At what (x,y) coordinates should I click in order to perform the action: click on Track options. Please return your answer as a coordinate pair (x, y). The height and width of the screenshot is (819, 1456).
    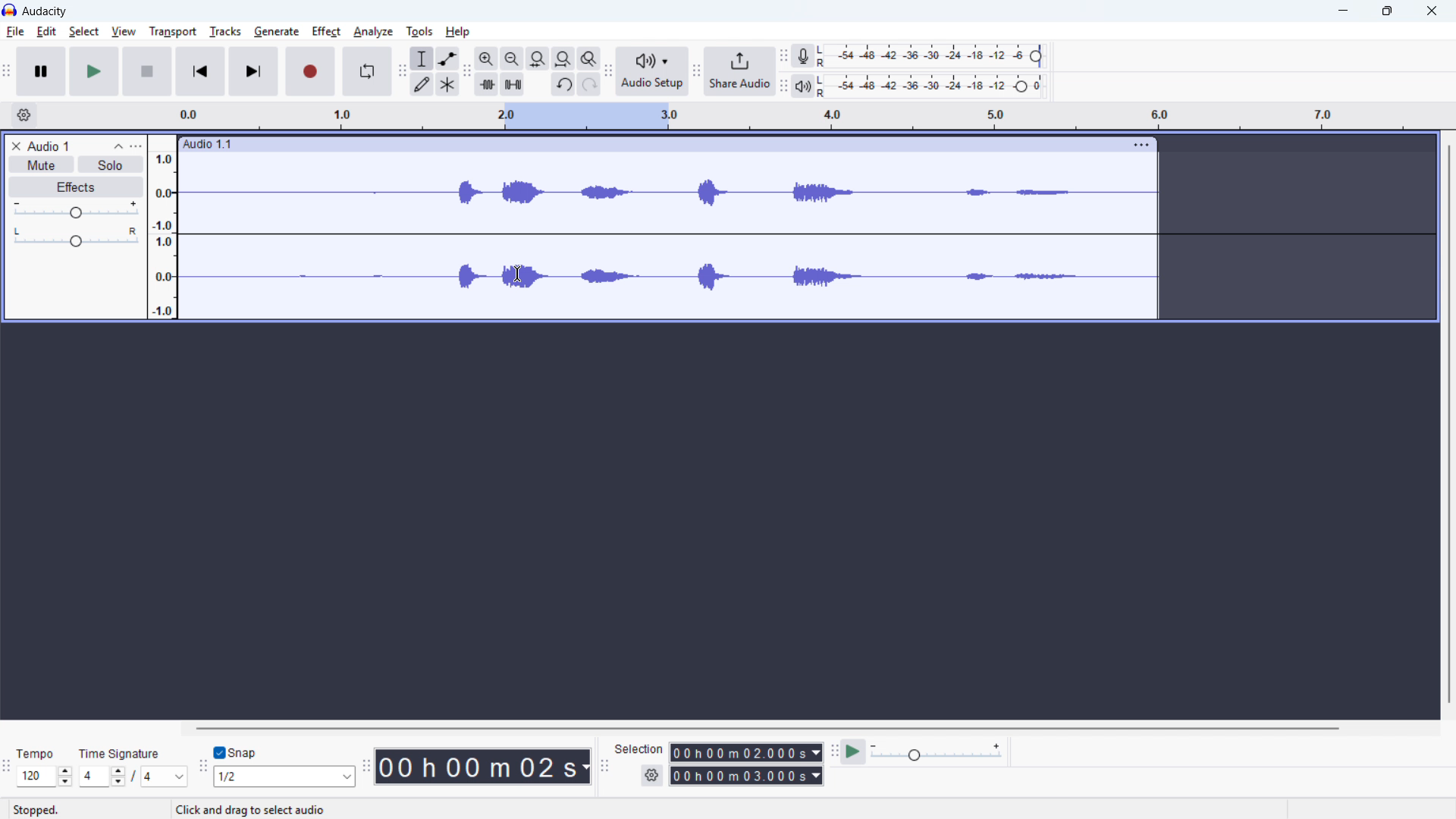
    Looking at the image, I should click on (1139, 145).